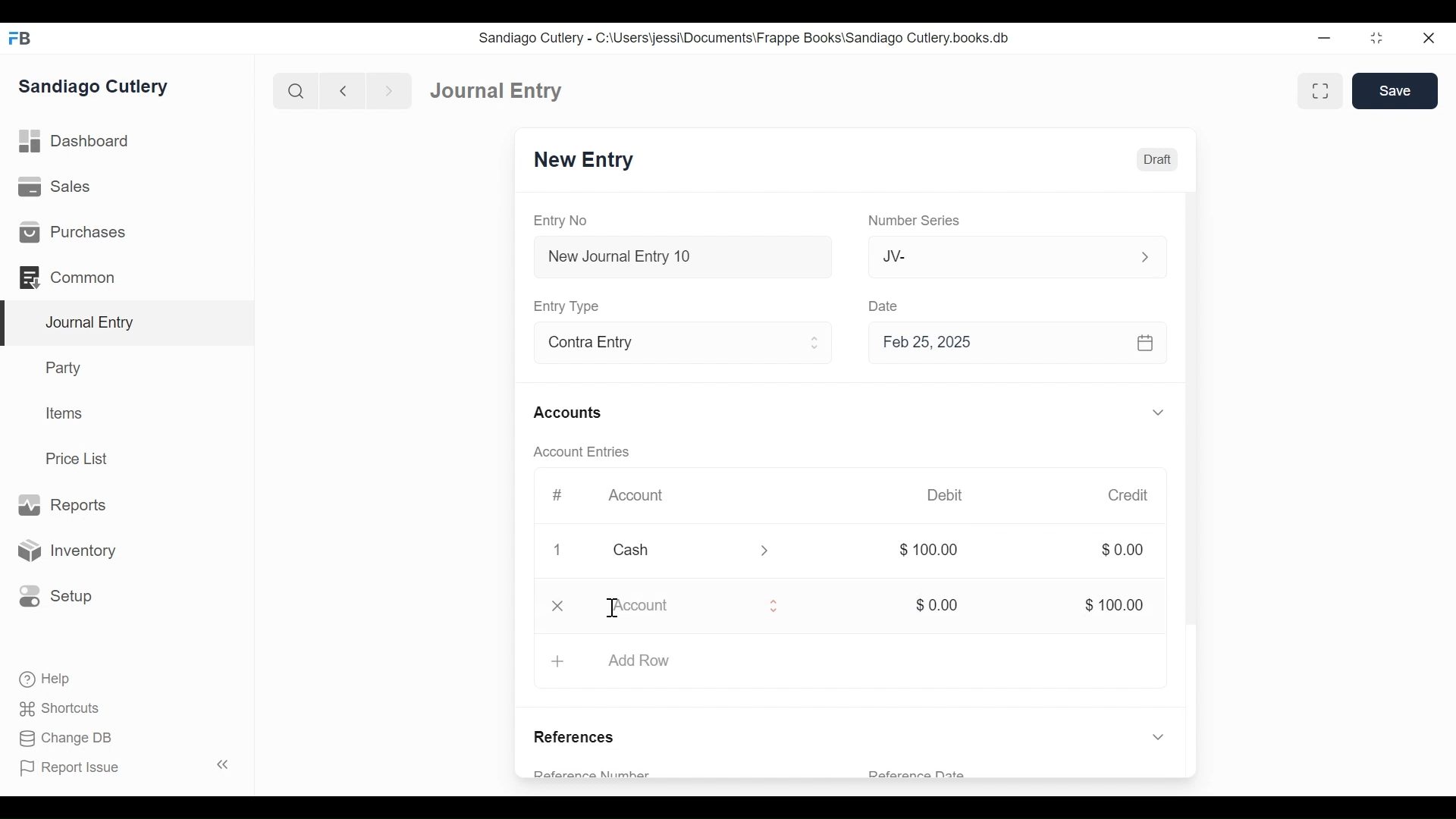 This screenshot has height=819, width=1456. I want to click on Debit, so click(951, 495).